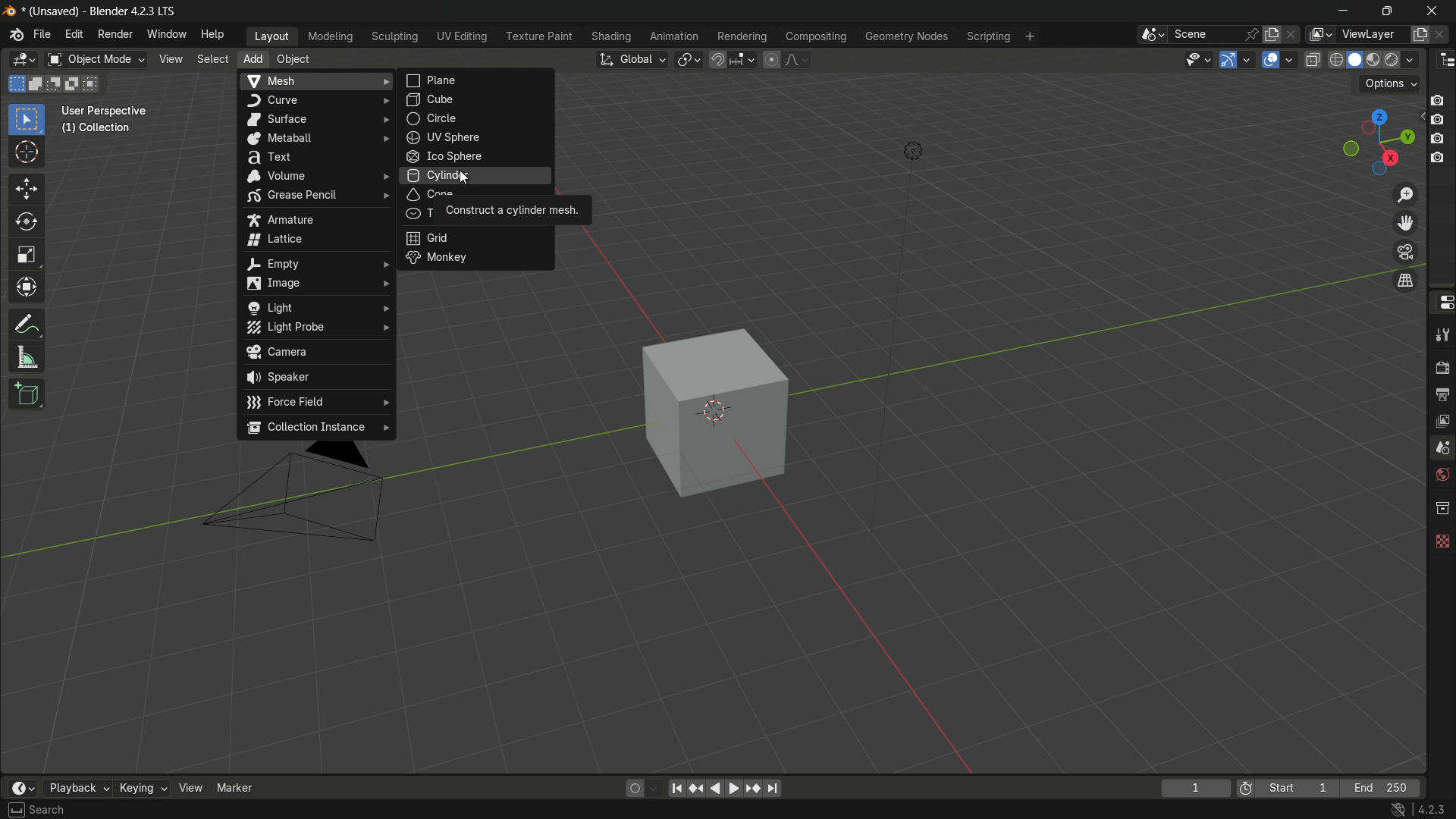 This screenshot has width=1456, height=819. What do you see at coordinates (1432, 11) in the screenshot?
I see `close app` at bounding box center [1432, 11].